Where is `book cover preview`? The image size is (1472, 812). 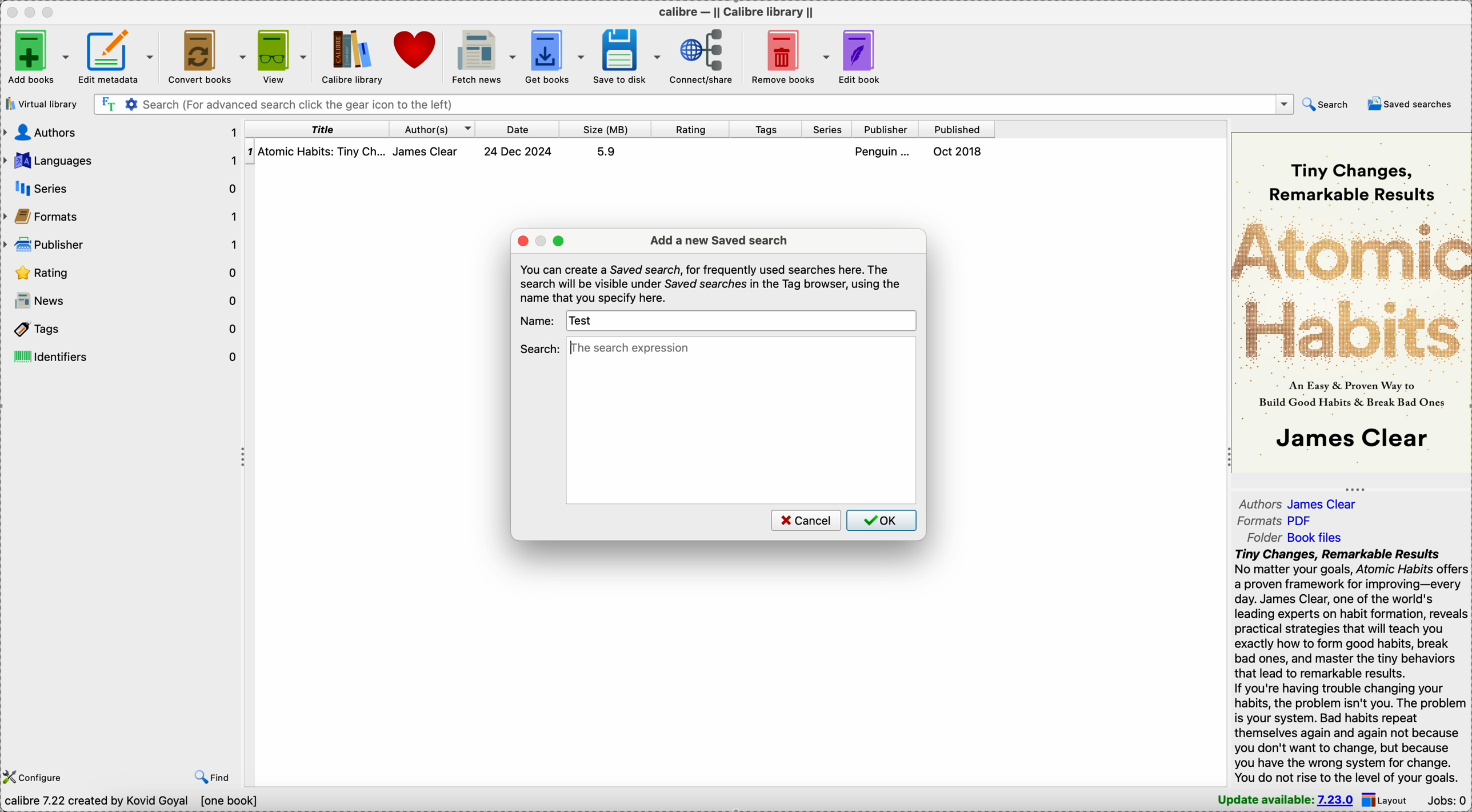
book cover preview is located at coordinates (1350, 301).